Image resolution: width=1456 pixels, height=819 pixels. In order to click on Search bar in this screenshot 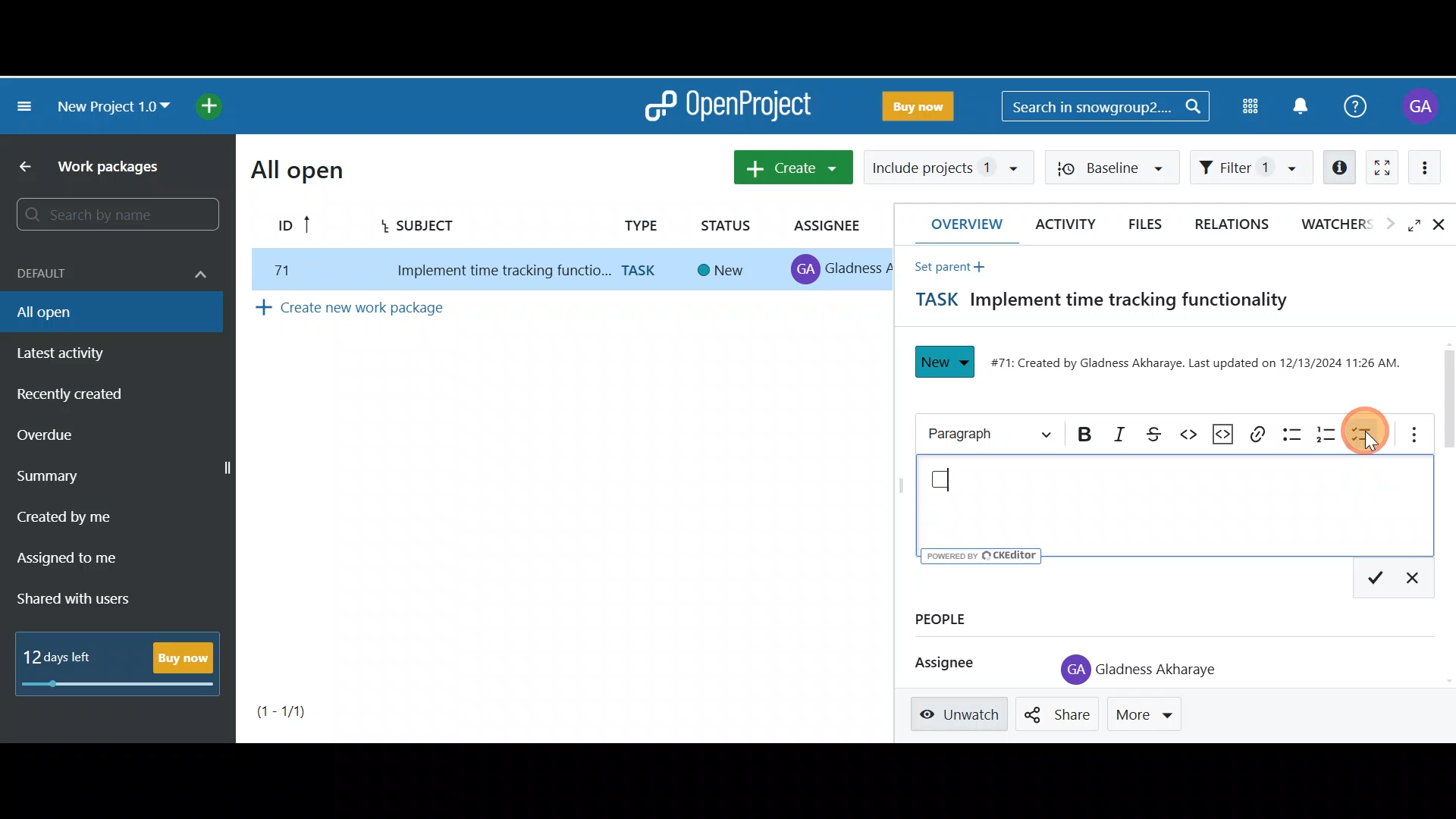, I will do `click(1109, 104)`.